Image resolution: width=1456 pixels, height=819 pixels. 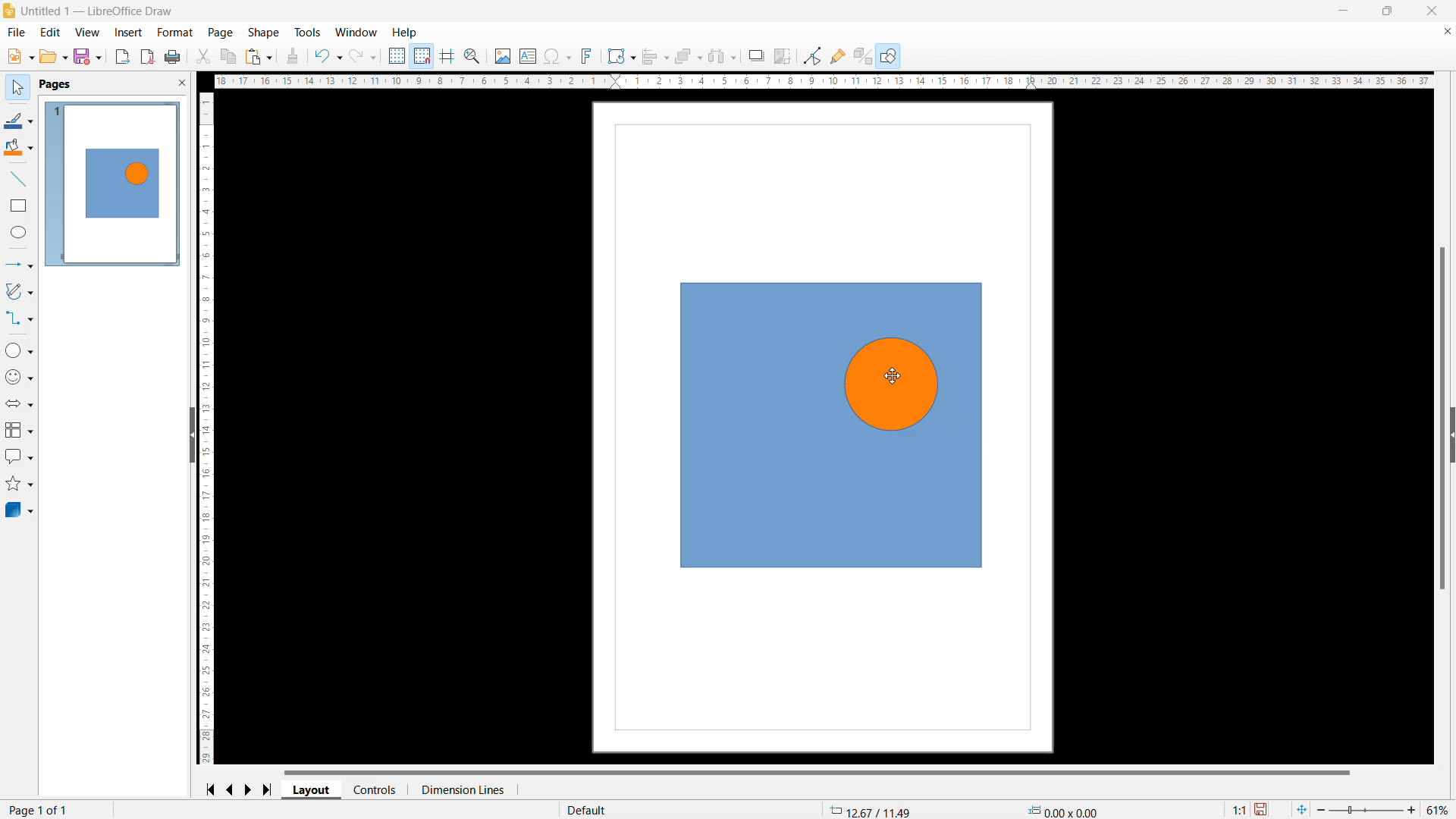 I want to click on go to previous page, so click(x=229, y=789).